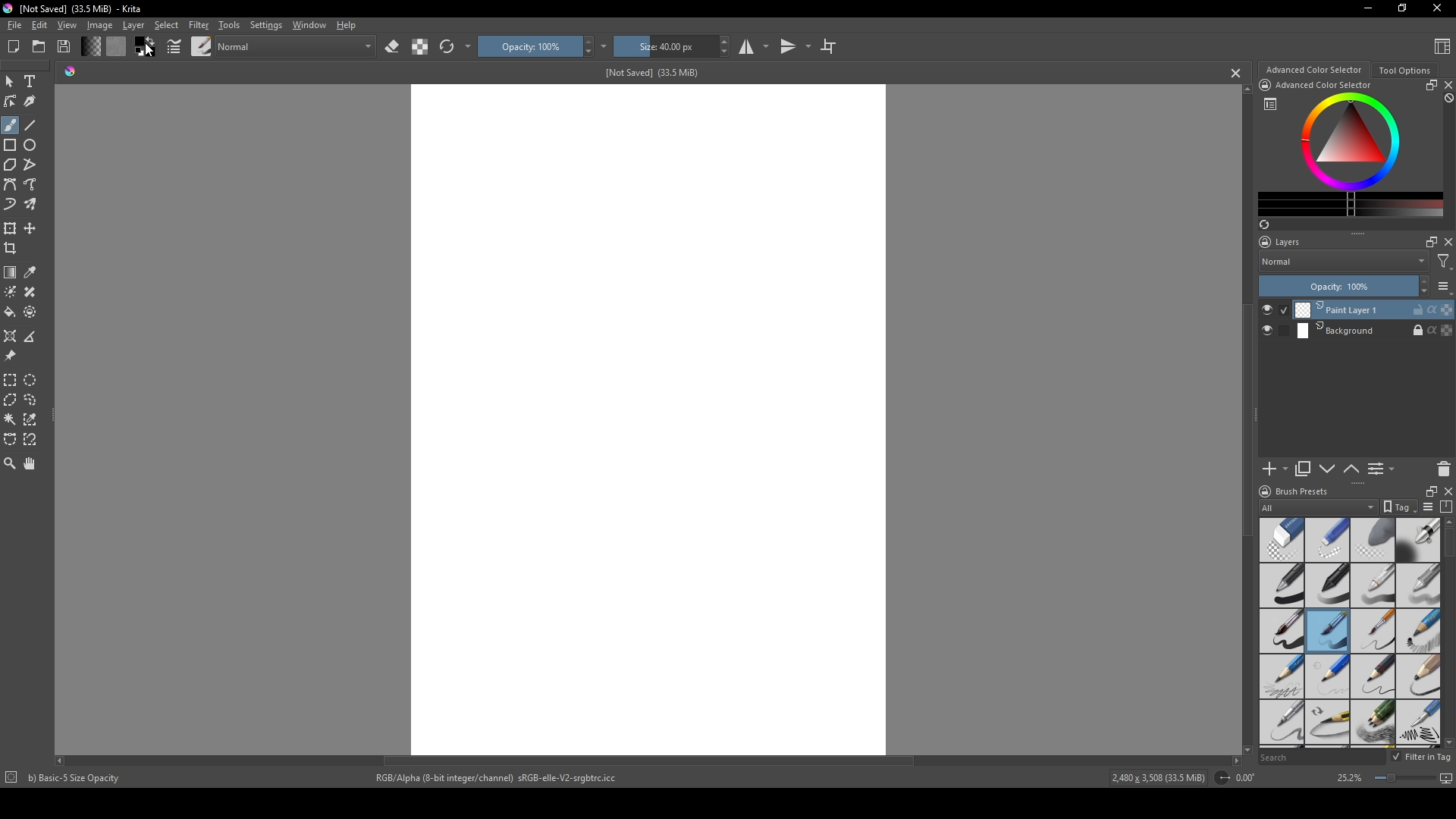 Image resolution: width=1456 pixels, height=819 pixels. I want to click on blending tool, so click(1418, 539).